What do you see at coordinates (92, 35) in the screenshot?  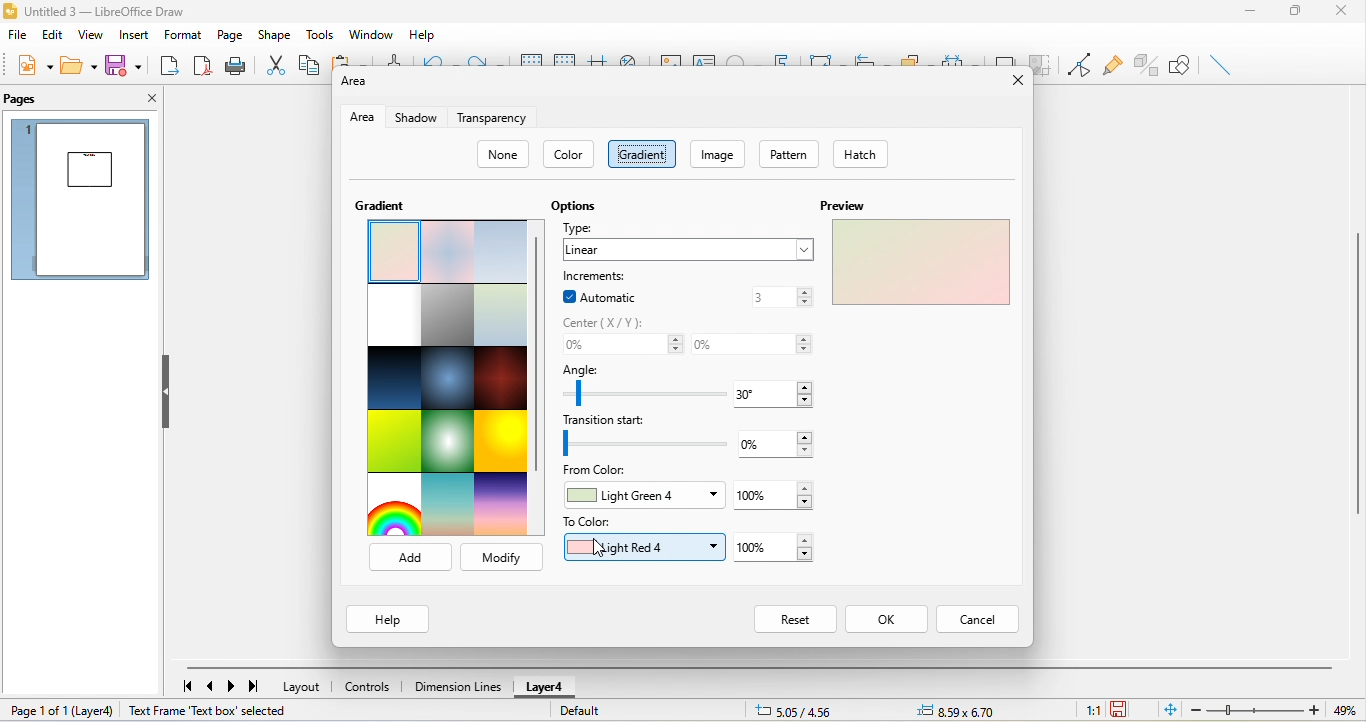 I see `view` at bounding box center [92, 35].